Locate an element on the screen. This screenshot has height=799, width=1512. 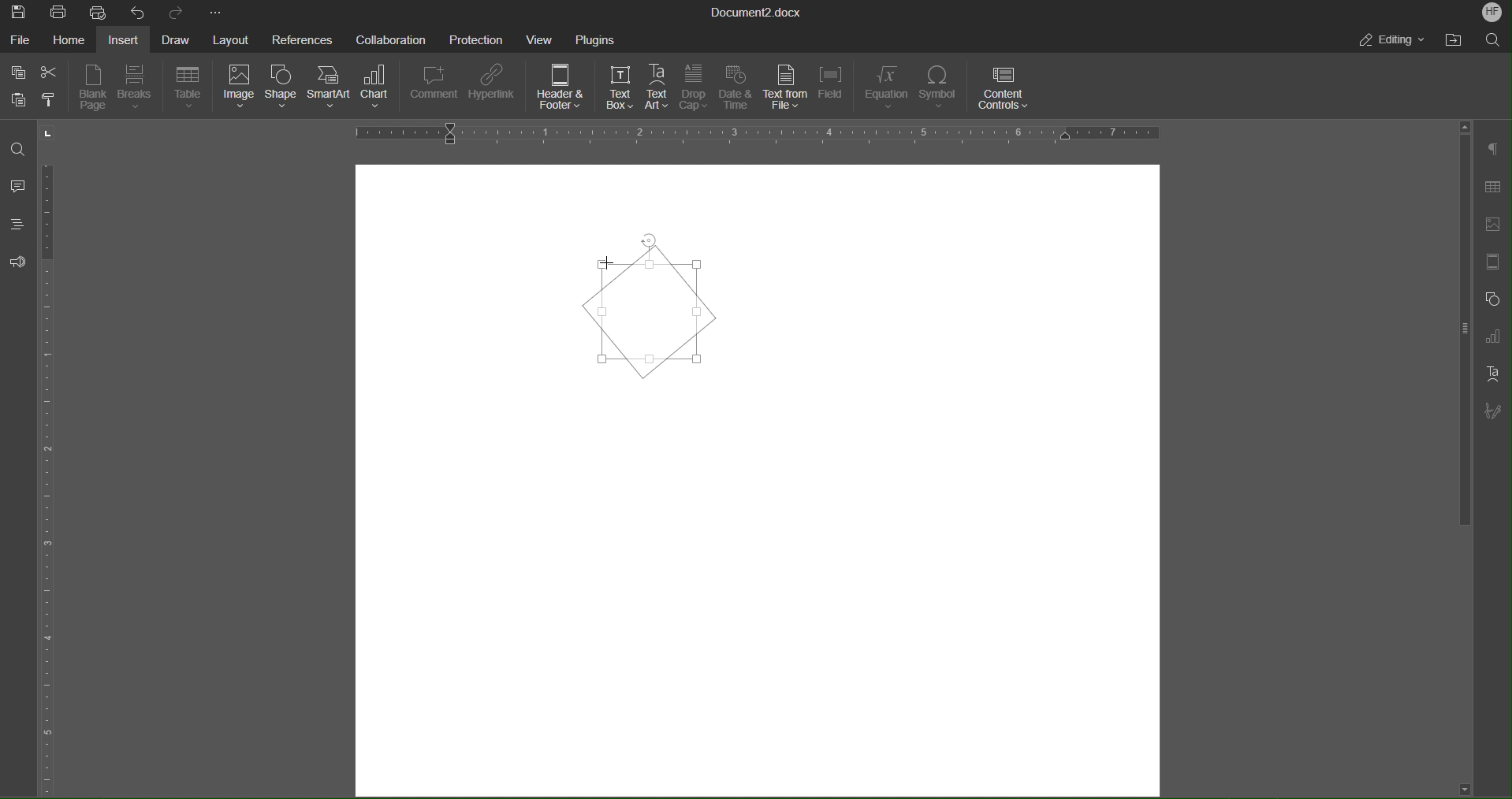
Paste is located at coordinates (18, 99).